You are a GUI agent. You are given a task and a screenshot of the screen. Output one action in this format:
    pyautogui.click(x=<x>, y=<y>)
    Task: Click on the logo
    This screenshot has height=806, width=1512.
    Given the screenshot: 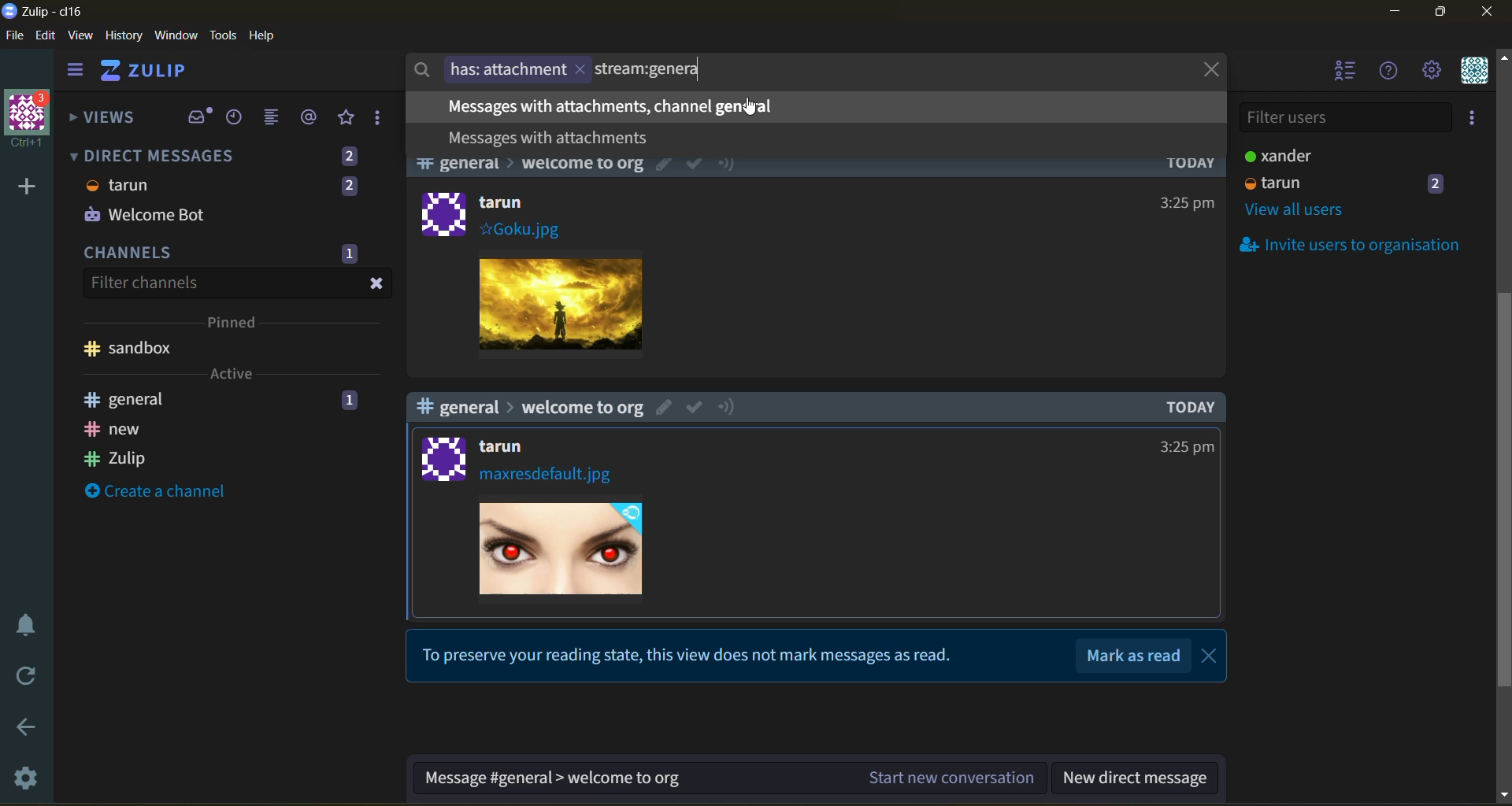 What is the action you would take?
    pyautogui.click(x=443, y=213)
    